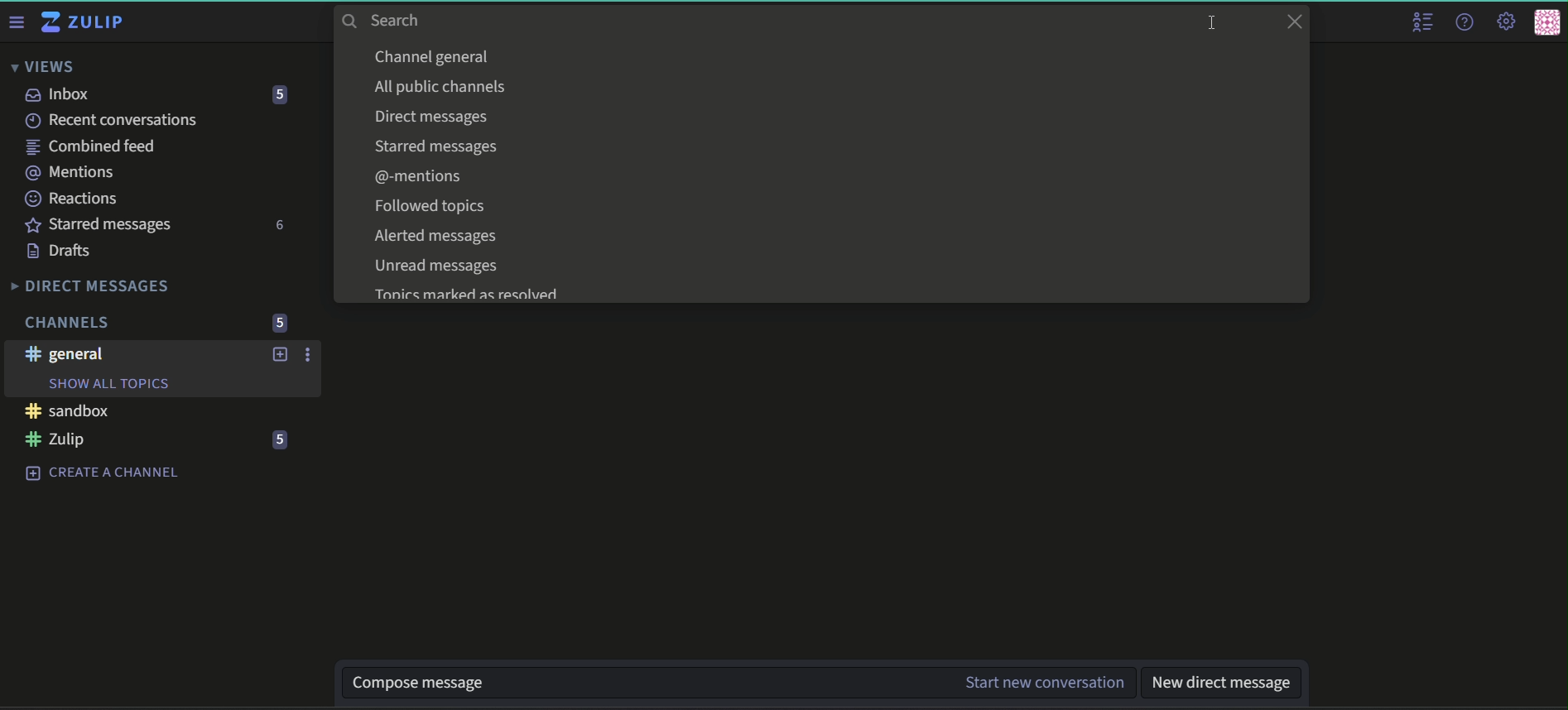 This screenshot has width=1568, height=710. Describe the element at coordinates (1223, 681) in the screenshot. I see `textbox` at that location.